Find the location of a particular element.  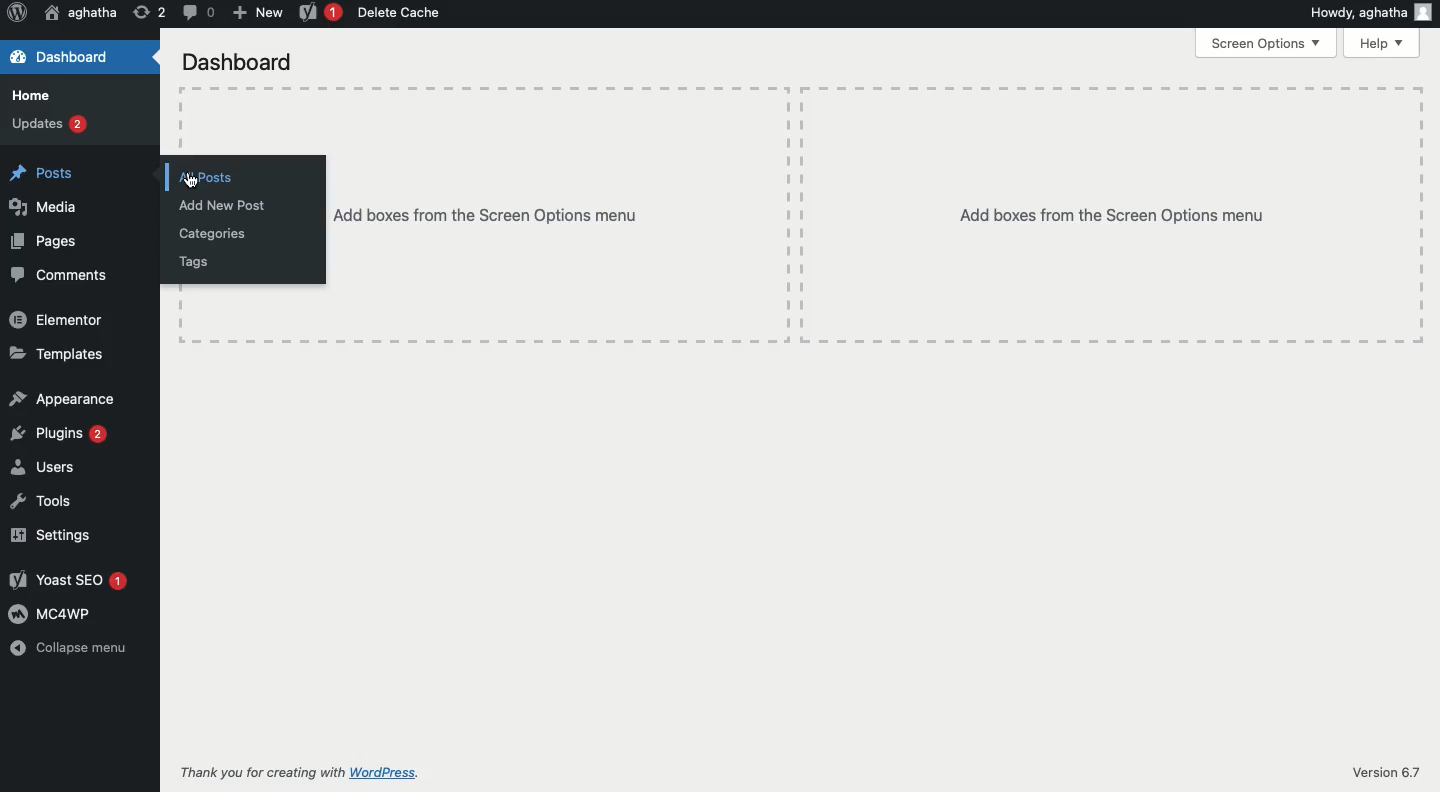

Plugins is located at coordinates (62, 434).